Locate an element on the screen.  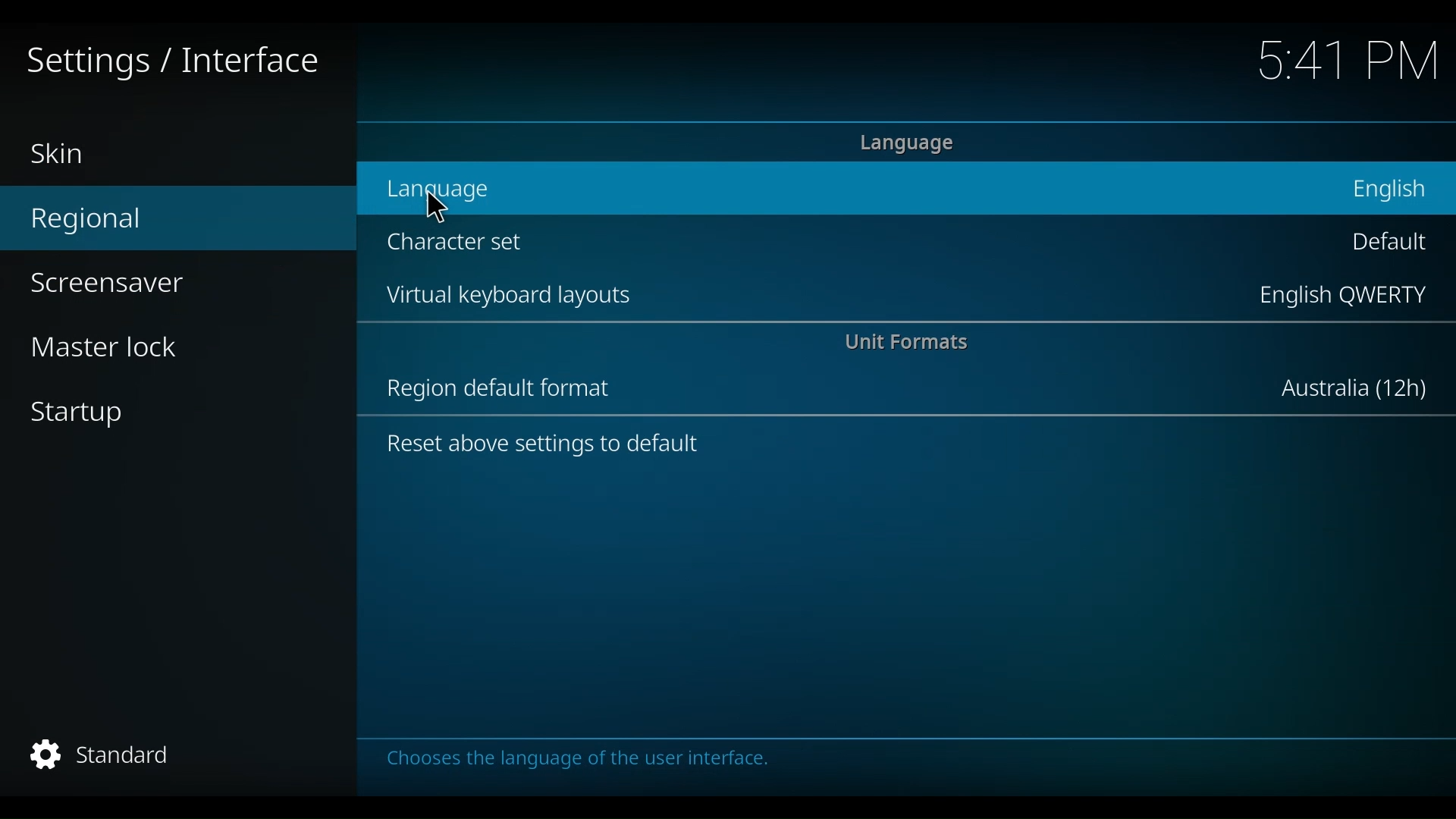
Reset above settings to default is located at coordinates (563, 447).